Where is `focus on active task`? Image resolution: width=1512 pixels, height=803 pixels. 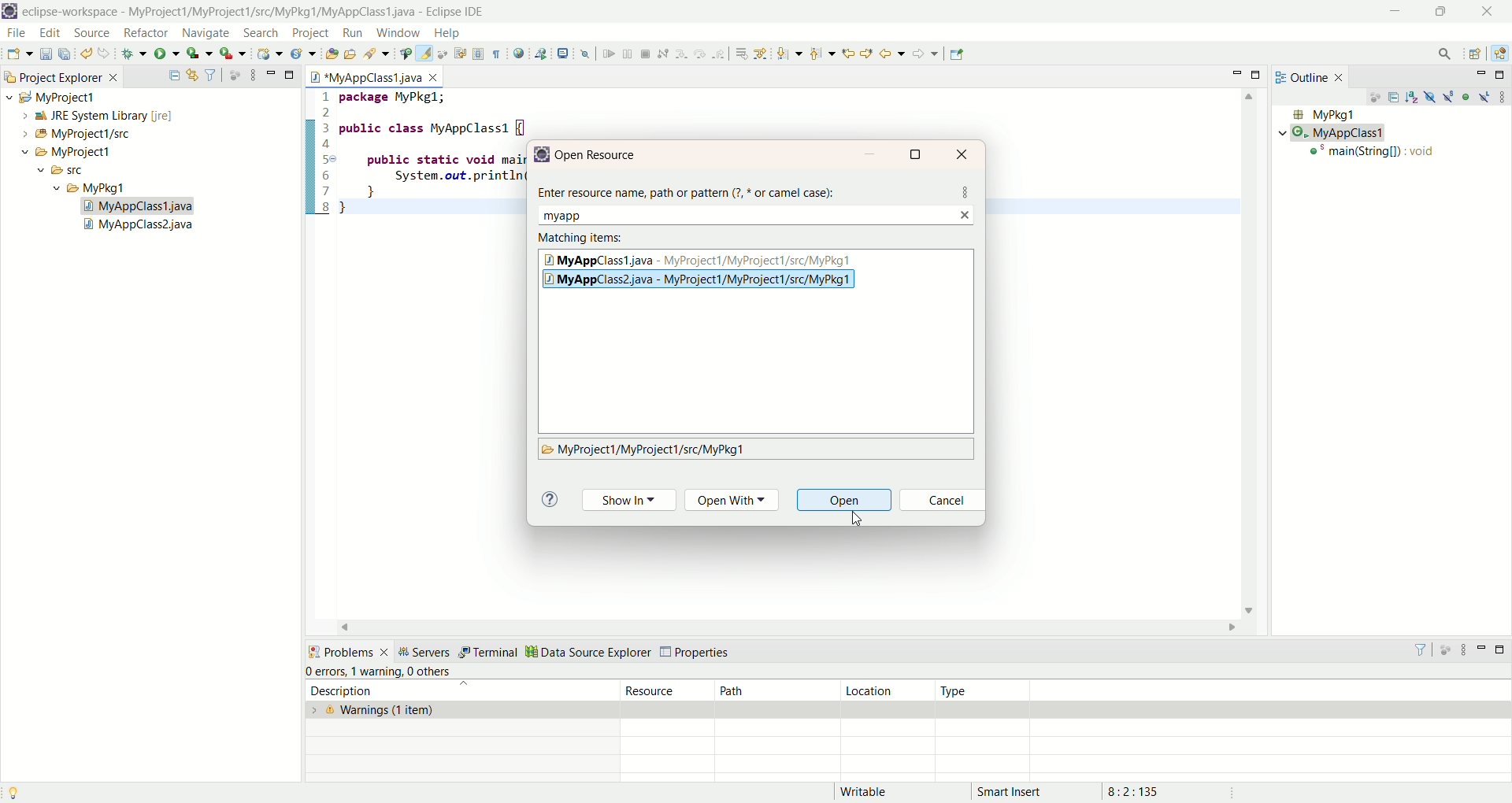 focus on active task is located at coordinates (1447, 650).